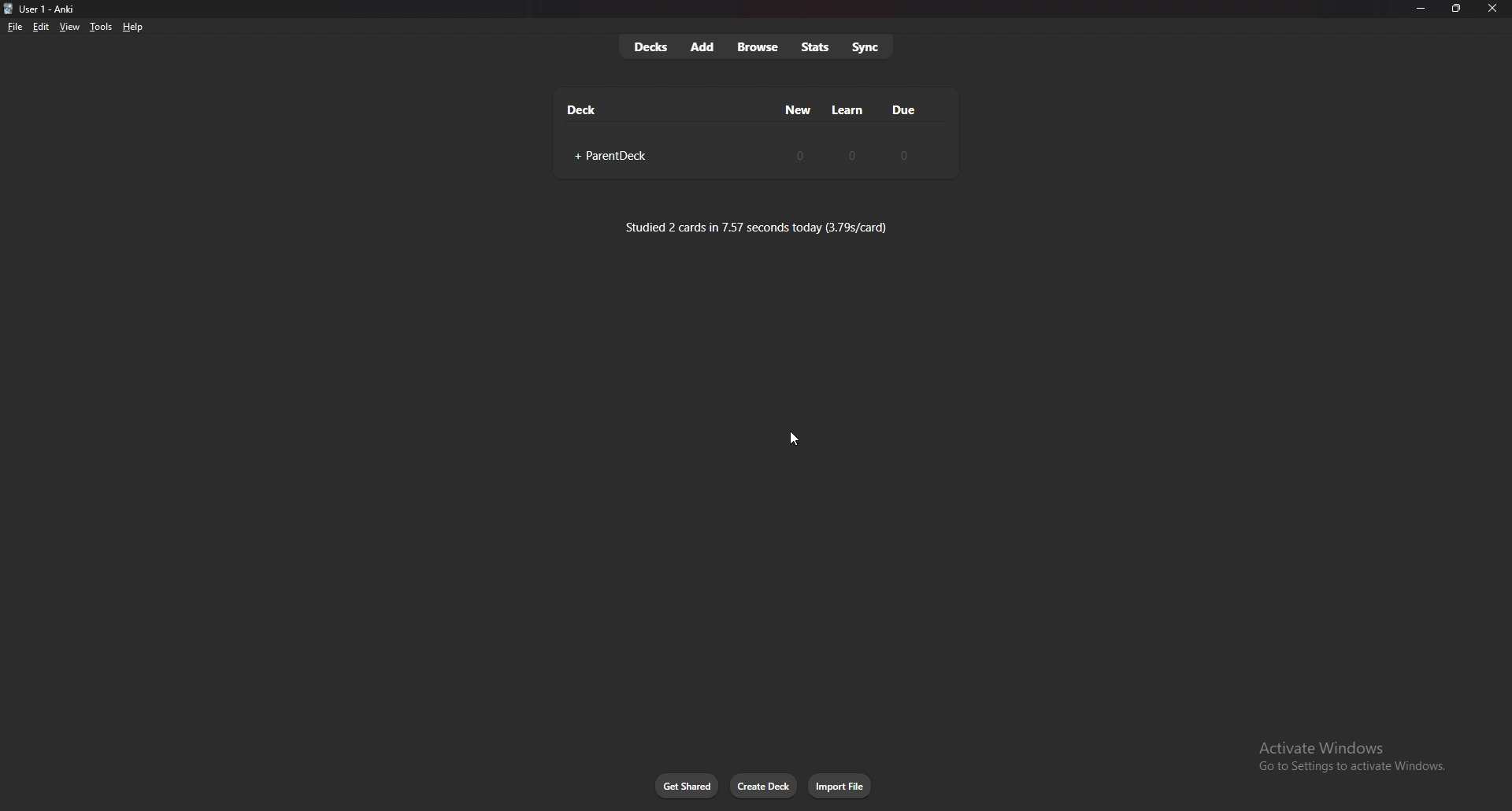 The image size is (1512, 811). What do you see at coordinates (757, 227) in the screenshot?
I see `studied 2 cards in 7.57 seconds today (3.79s/card)` at bounding box center [757, 227].